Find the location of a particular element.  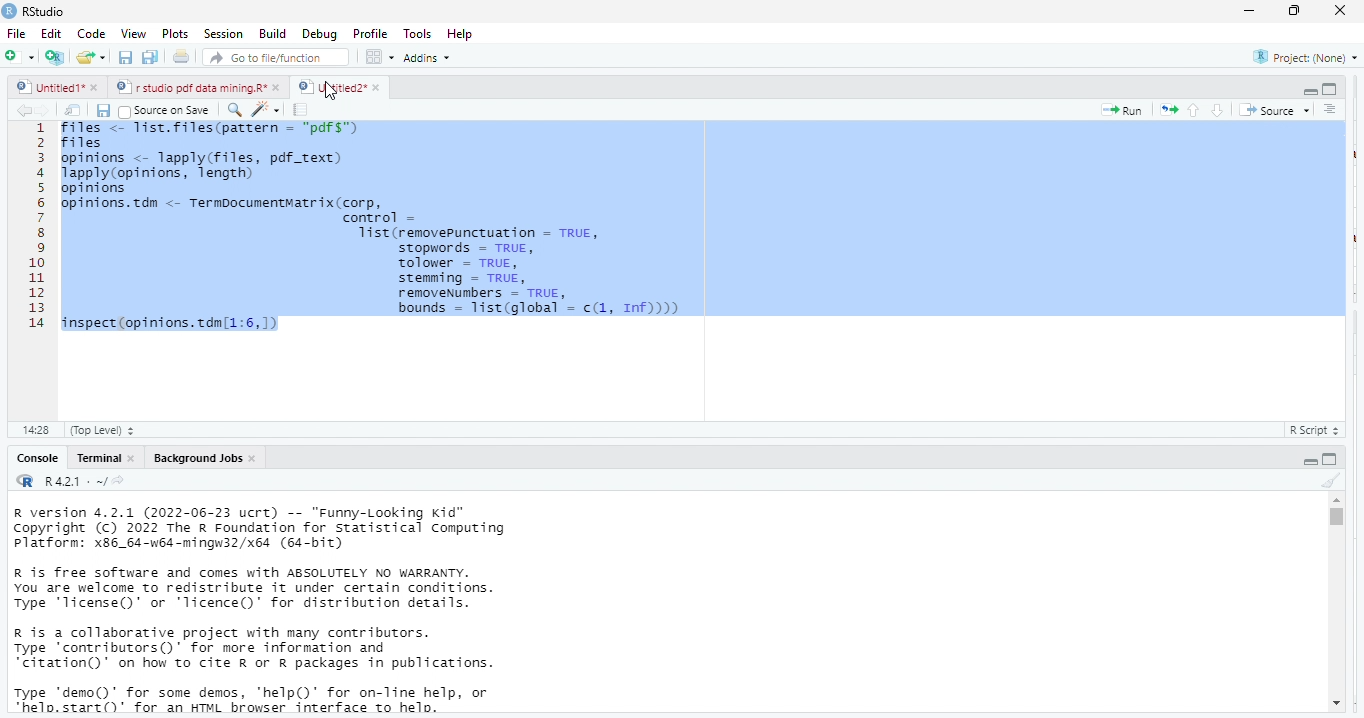

find /replace is located at coordinates (234, 109).